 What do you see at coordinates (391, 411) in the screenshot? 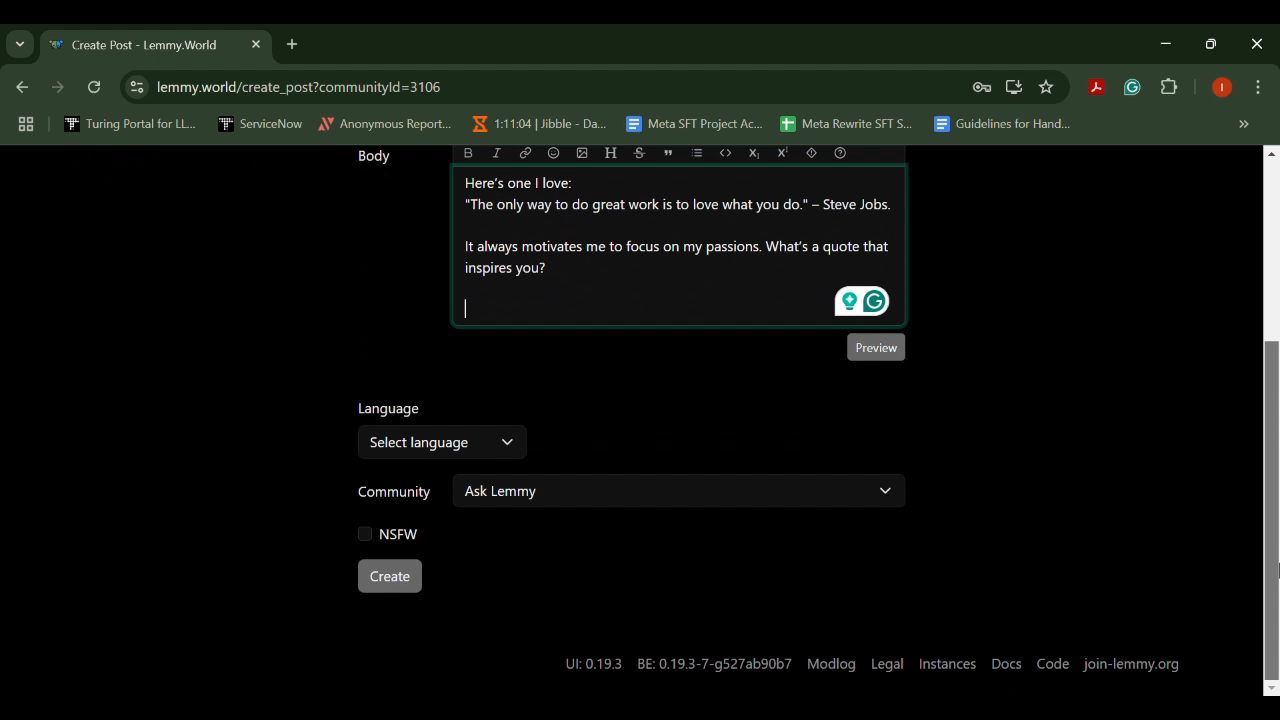
I see `Language` at bounding box center [391, 411].